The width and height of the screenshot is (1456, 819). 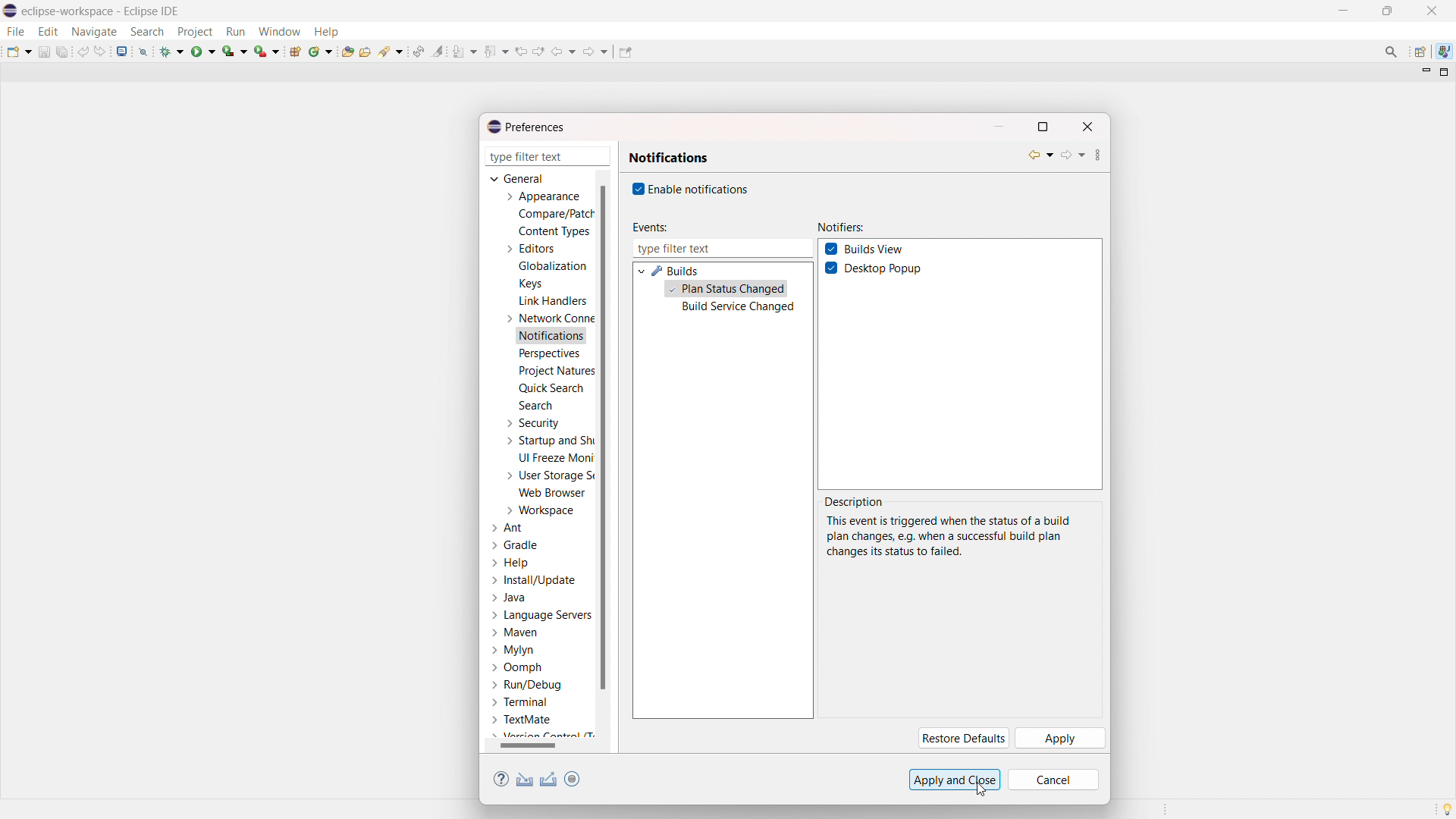 What do you see at coordinates (1387, 11) in the screenshot?
I see `maximize` at bounding box center [1387, 11].